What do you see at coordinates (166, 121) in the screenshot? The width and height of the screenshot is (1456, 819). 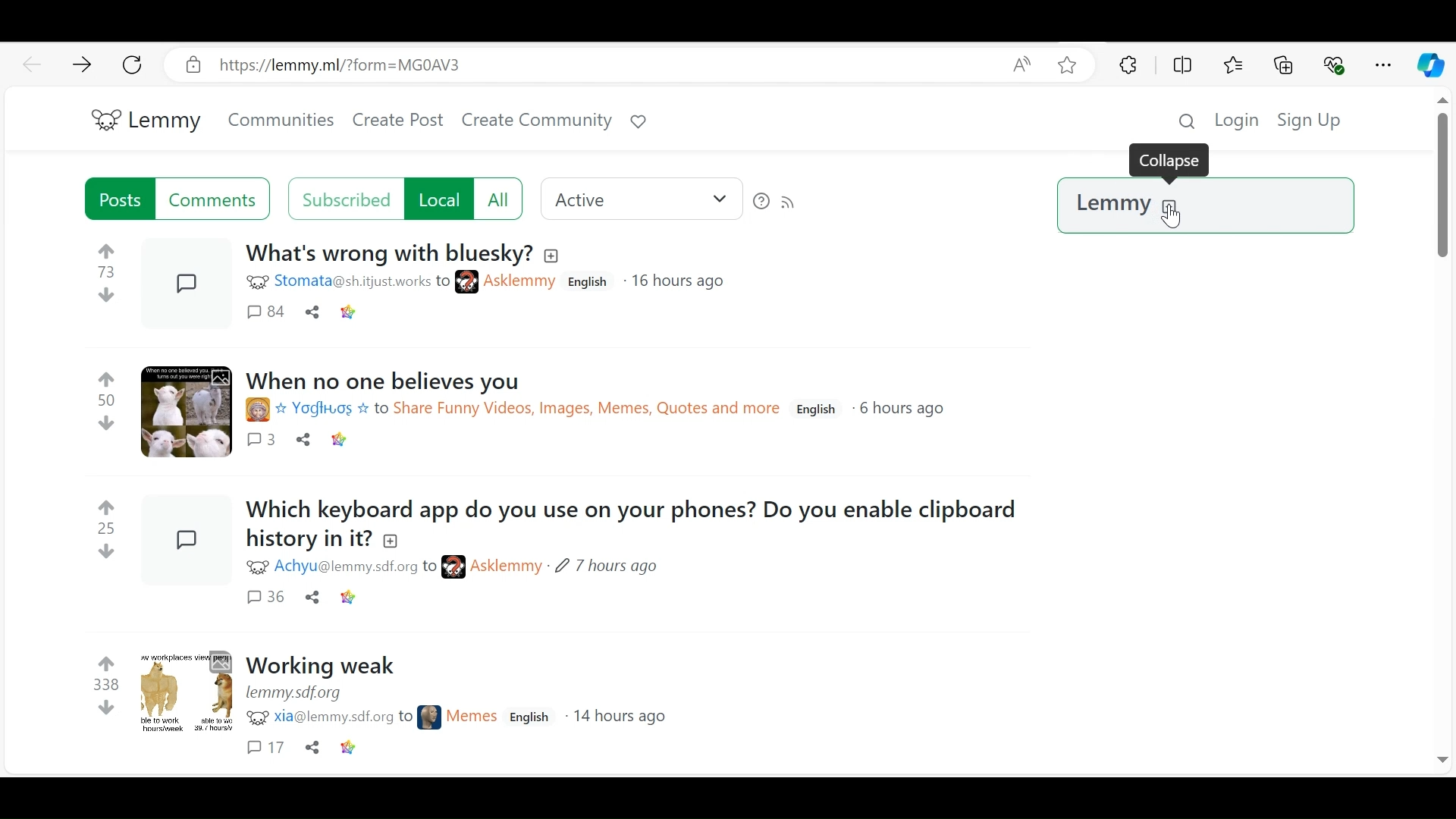 I see `Lemmy` at bounding box center [166, 121].